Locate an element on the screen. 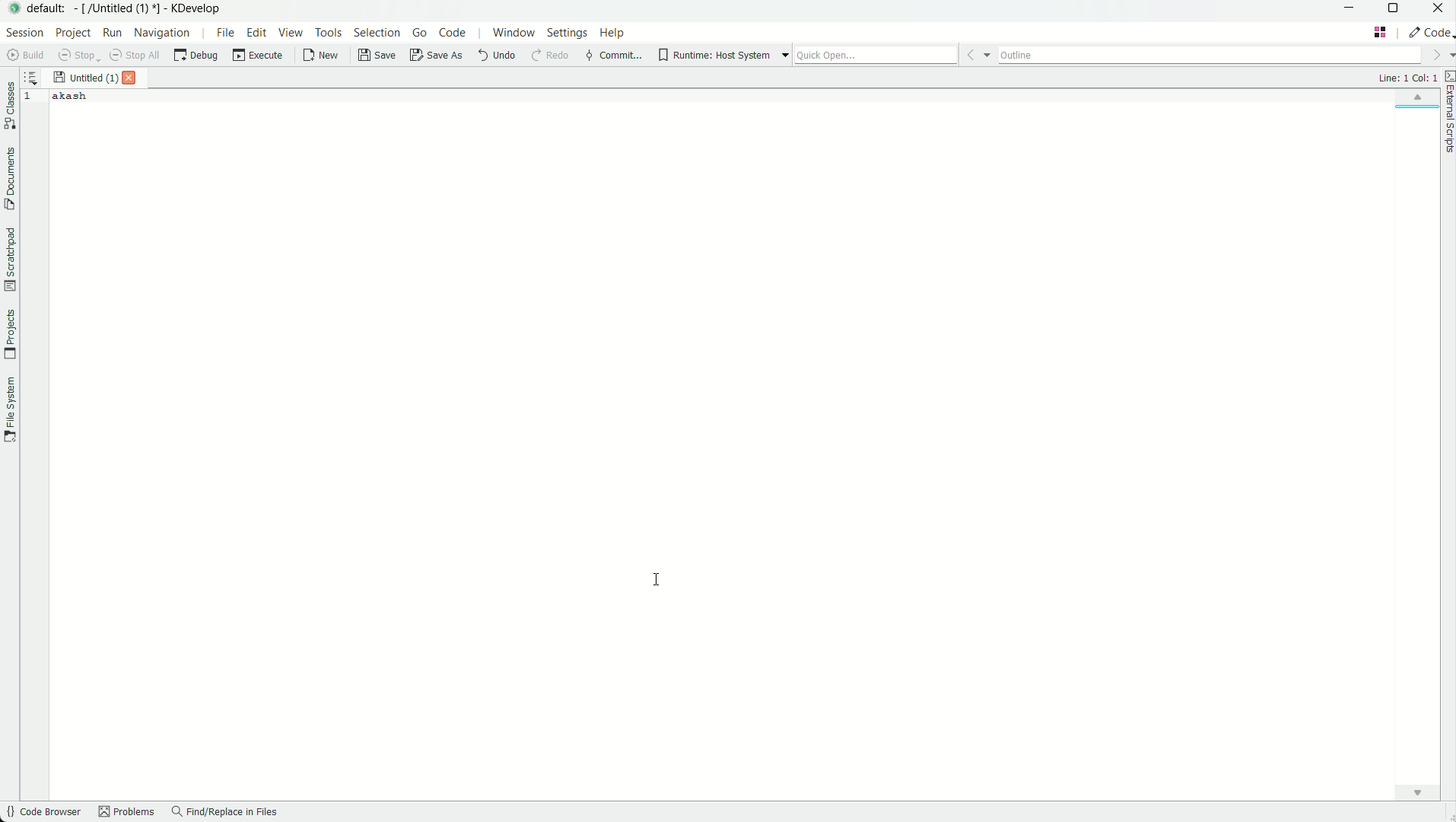 The height and width of the screenshot is (822, 1456). new is located at coordinates (322, 57).